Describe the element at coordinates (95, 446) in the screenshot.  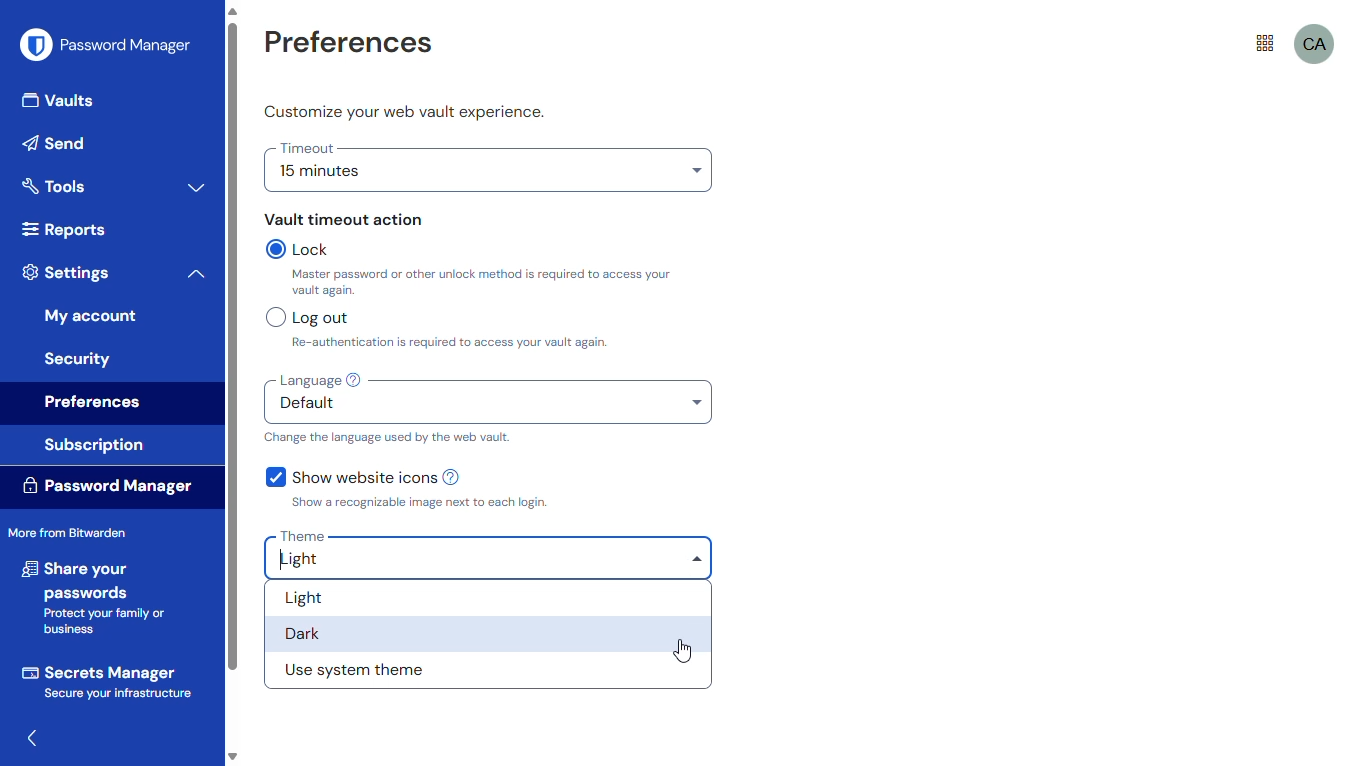
I see `subscription` at that location.